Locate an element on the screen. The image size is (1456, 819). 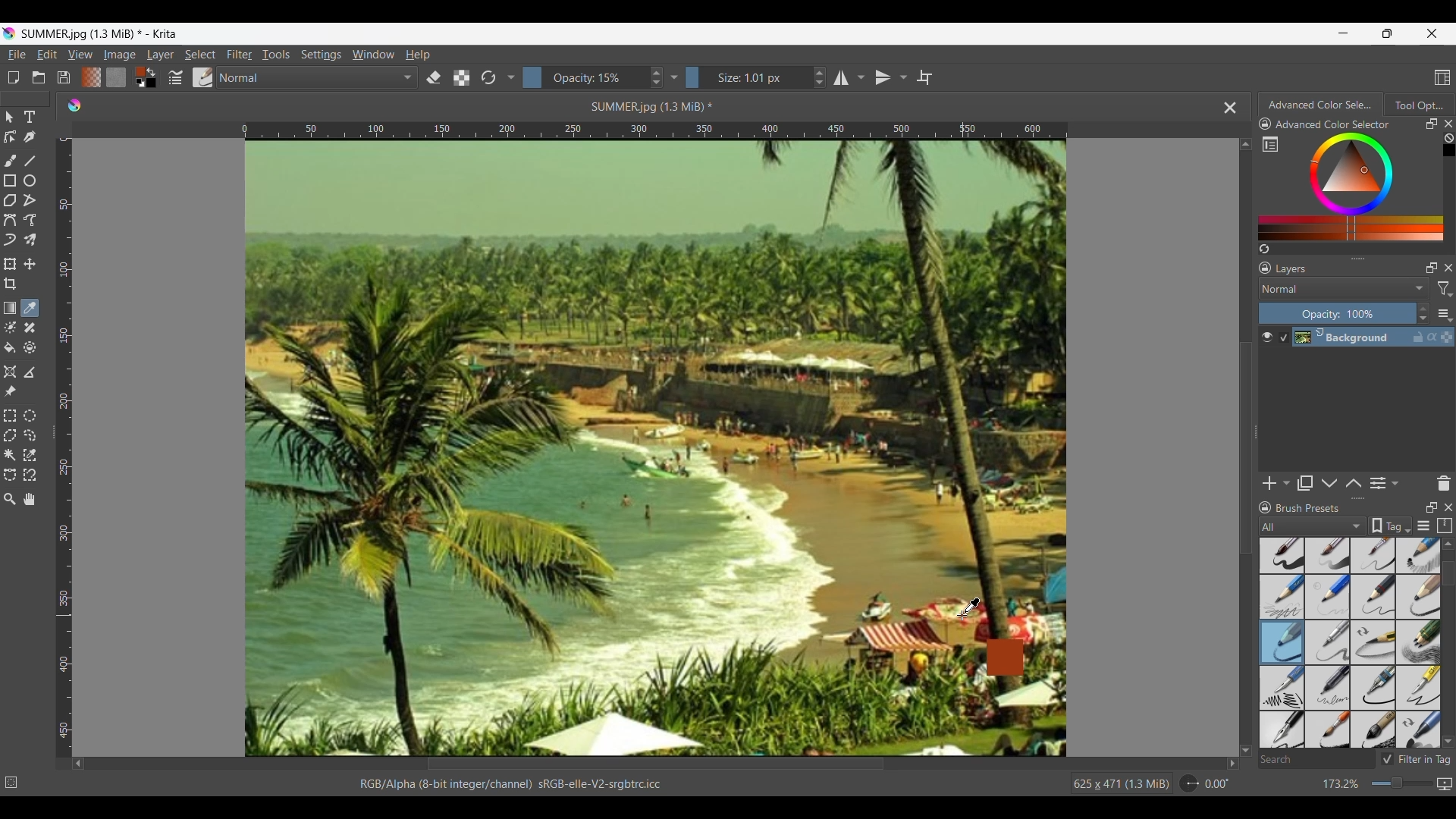
Horizontal scale is located at coordinates (654, 130).